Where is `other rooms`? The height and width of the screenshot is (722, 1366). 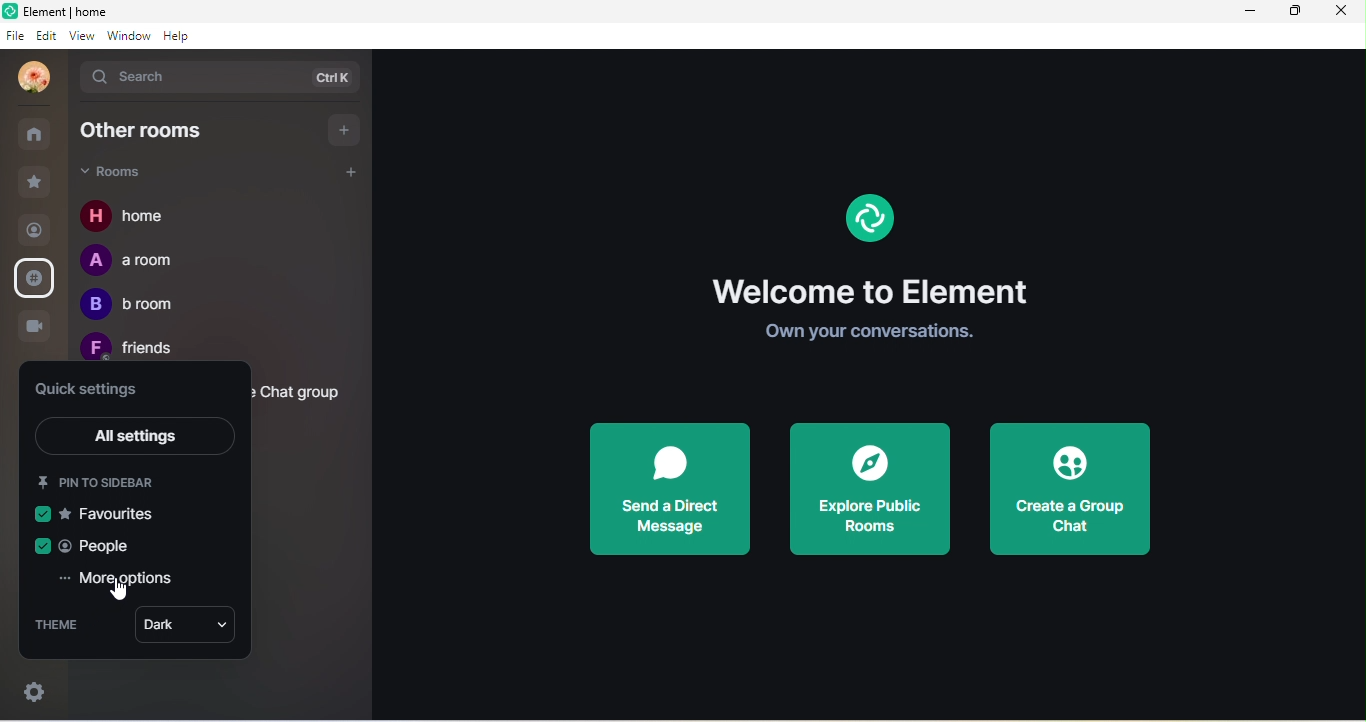
other rooms is located at coordinates (152, 132).